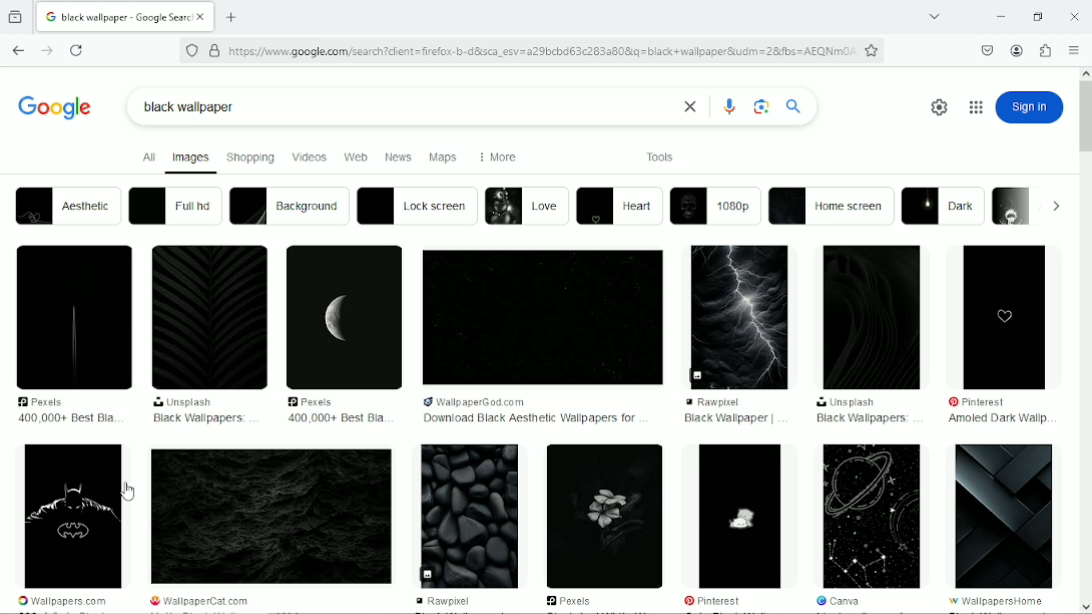 This screenshot has height=614, width=1092. What do you see at coordinates (66, 418) in the screenshot?
I see `400,000+ best bia` at bounding box center [66, 418].